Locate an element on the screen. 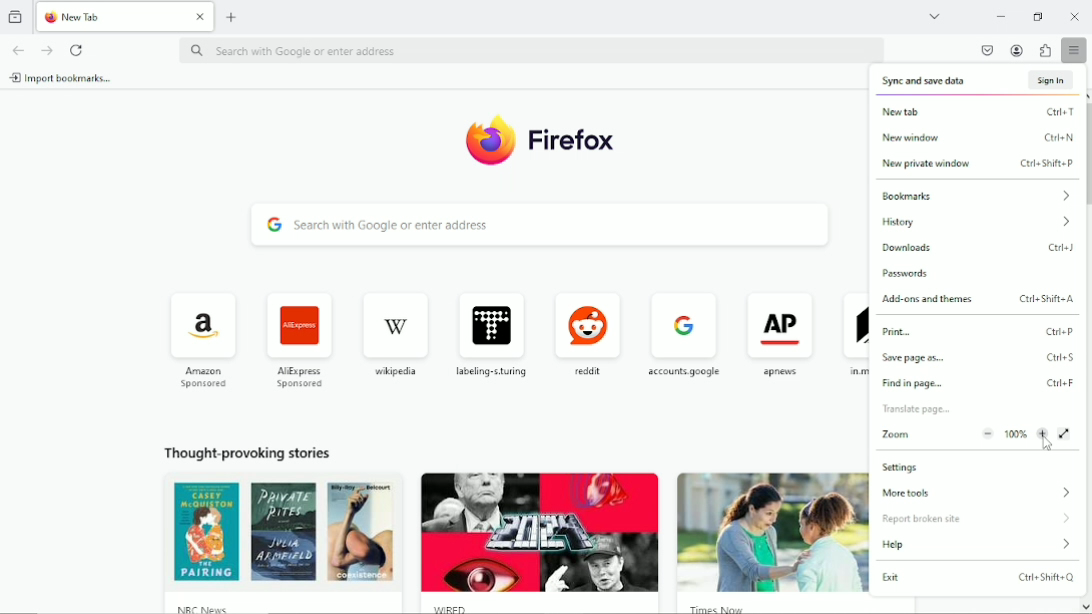 The height and width of the screenshot is (614, 1092). accounts google is located at coordinates (684, 332).